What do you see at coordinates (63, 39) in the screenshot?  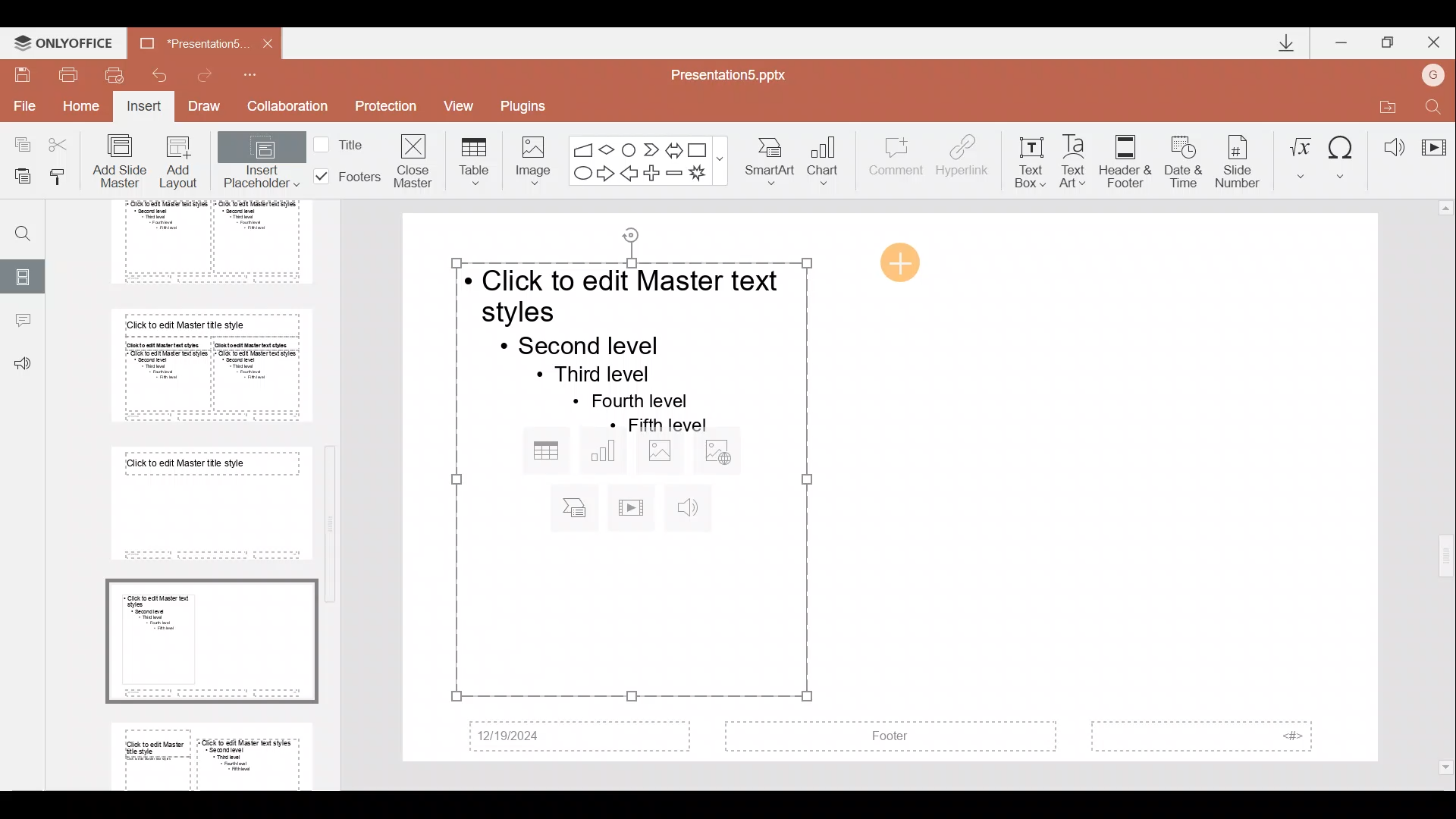 I see `ONLYOFFICE` at bounding box center [63, 39].